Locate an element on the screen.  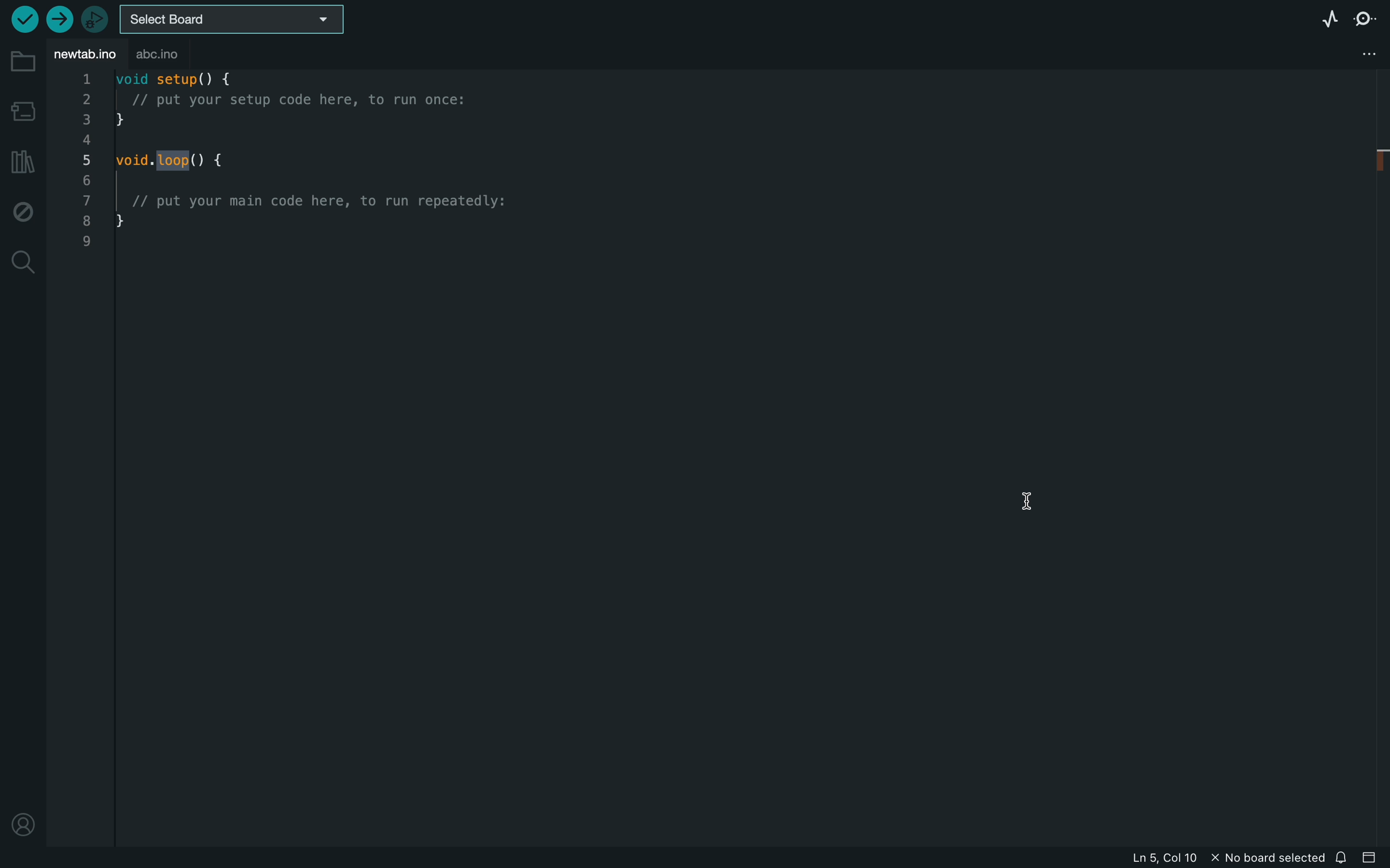
folder is located at coordinates (22, 63).